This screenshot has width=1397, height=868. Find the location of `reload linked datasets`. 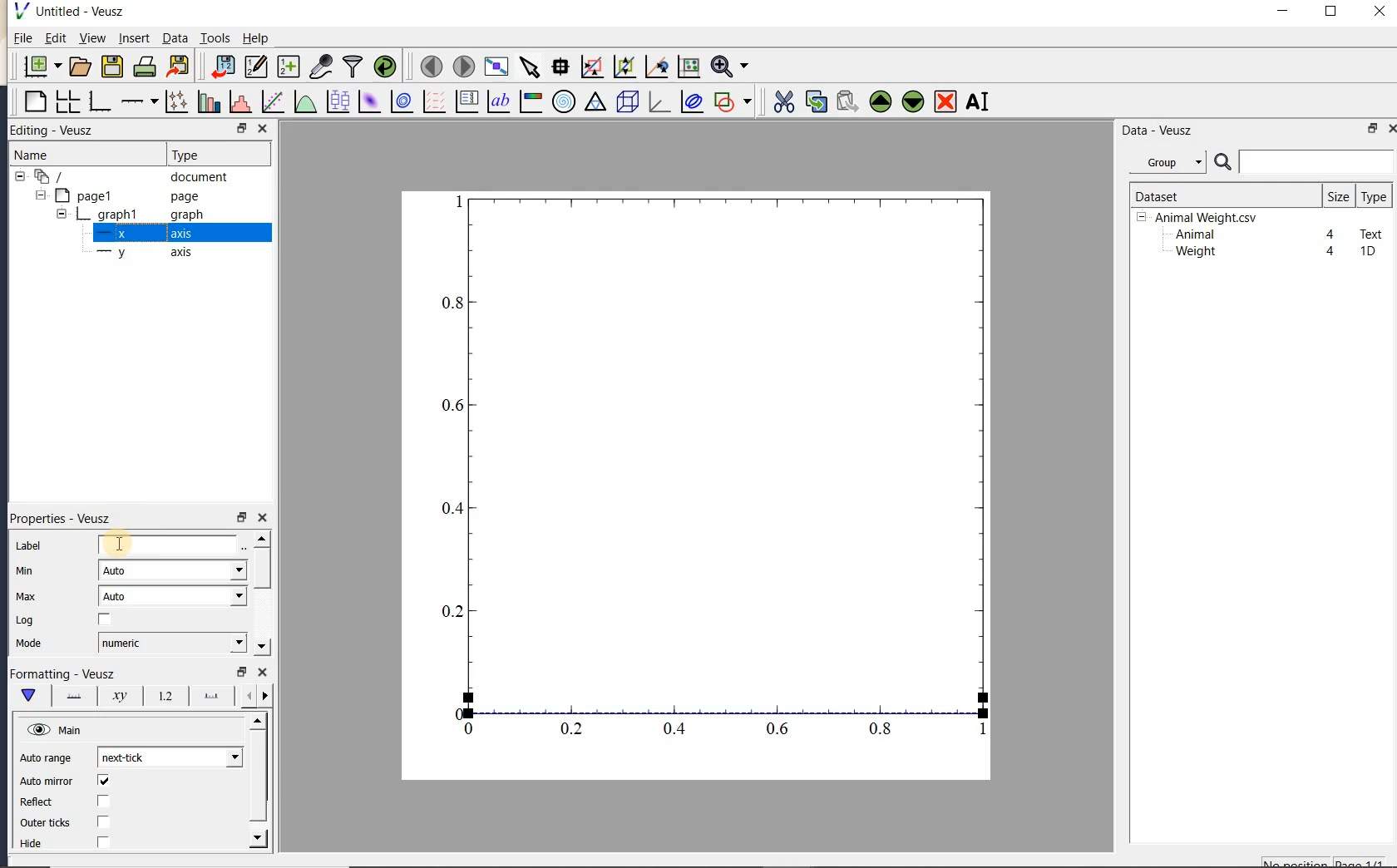

reload linked datasets is located at coordinates (385, 65).